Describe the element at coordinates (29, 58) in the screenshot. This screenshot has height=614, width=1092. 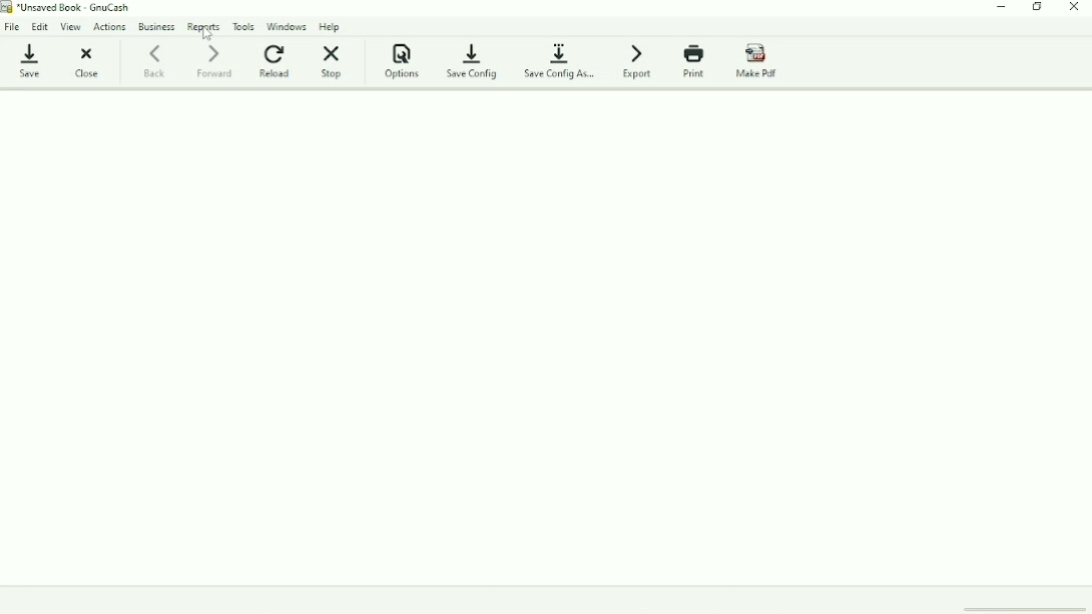
I see `Save` at that location.